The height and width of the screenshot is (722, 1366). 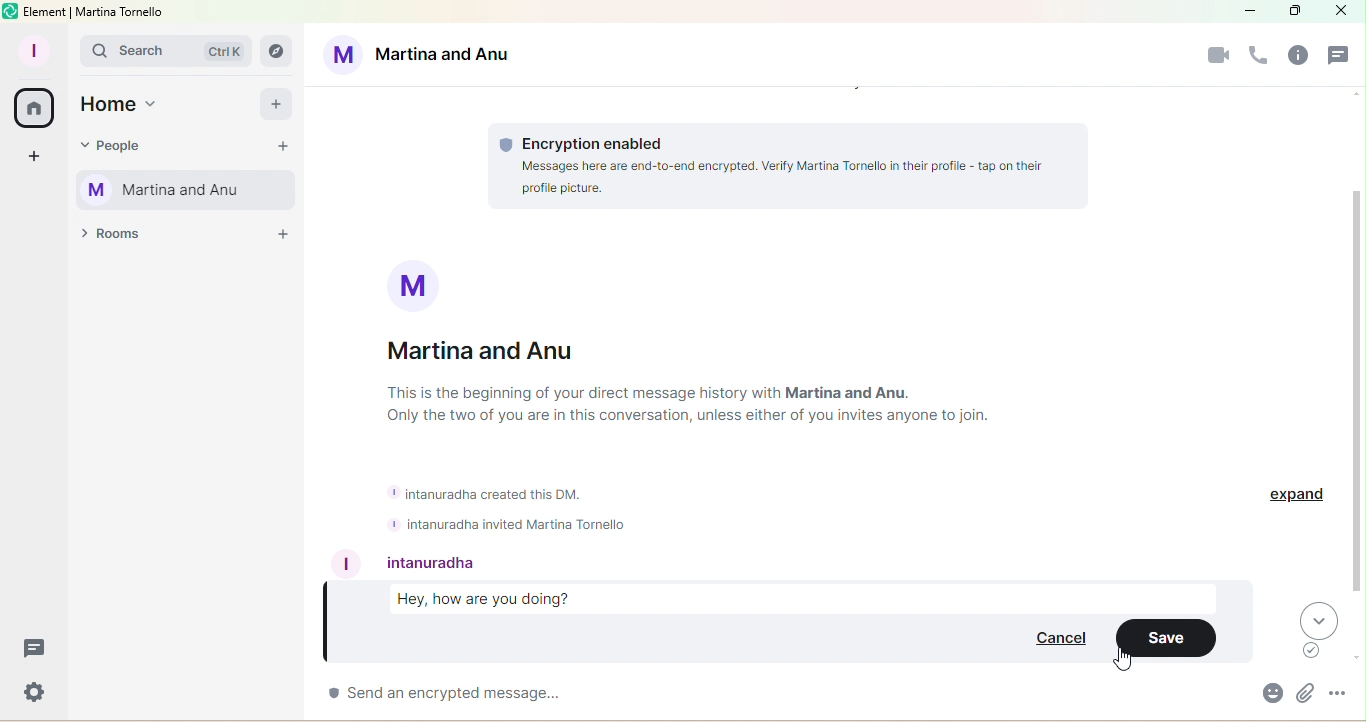 I want to click on Martina tornello, so click(x=121, y=13).